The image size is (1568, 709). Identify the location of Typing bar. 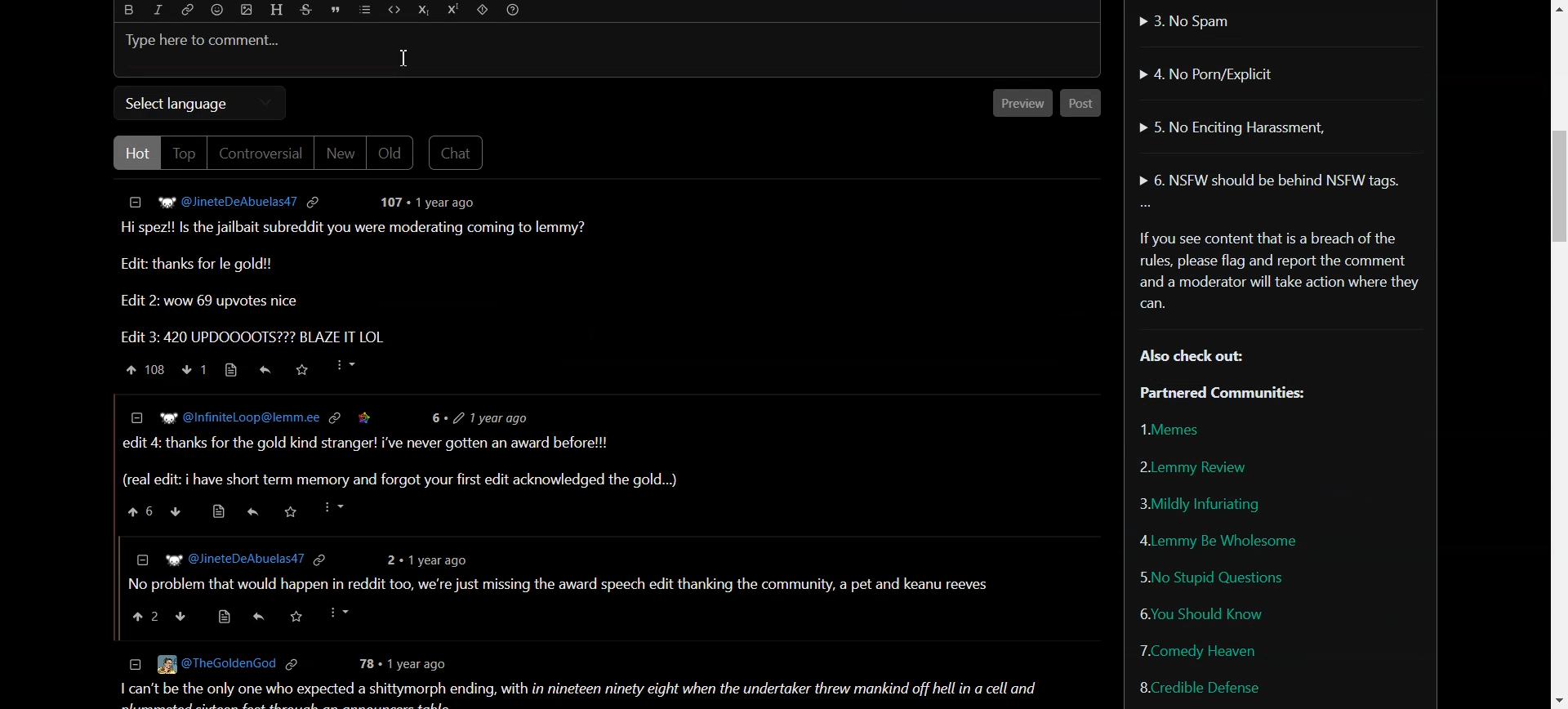
(605, 51).